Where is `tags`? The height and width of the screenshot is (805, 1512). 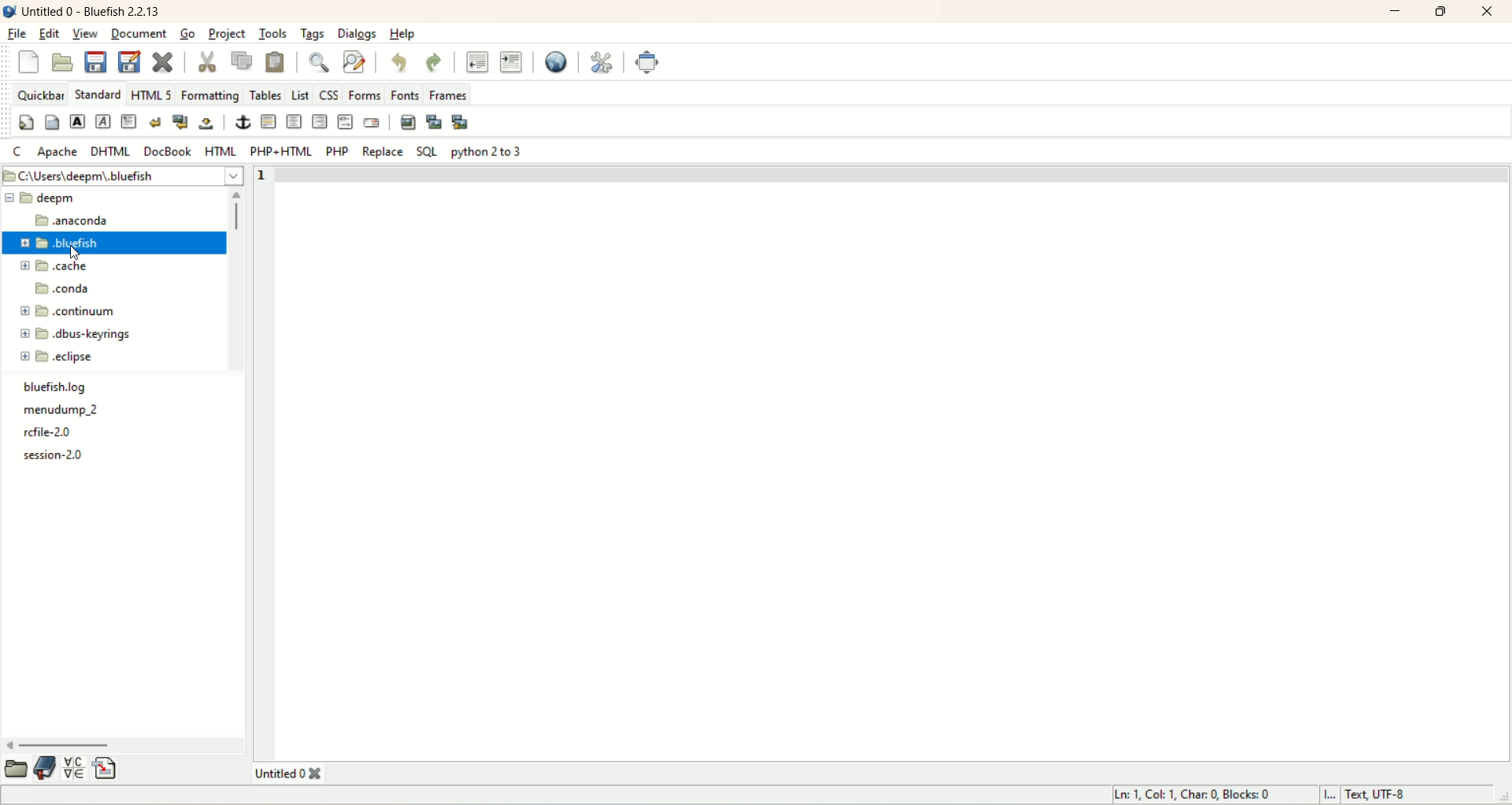
tags is located at coordinates (313, 34).